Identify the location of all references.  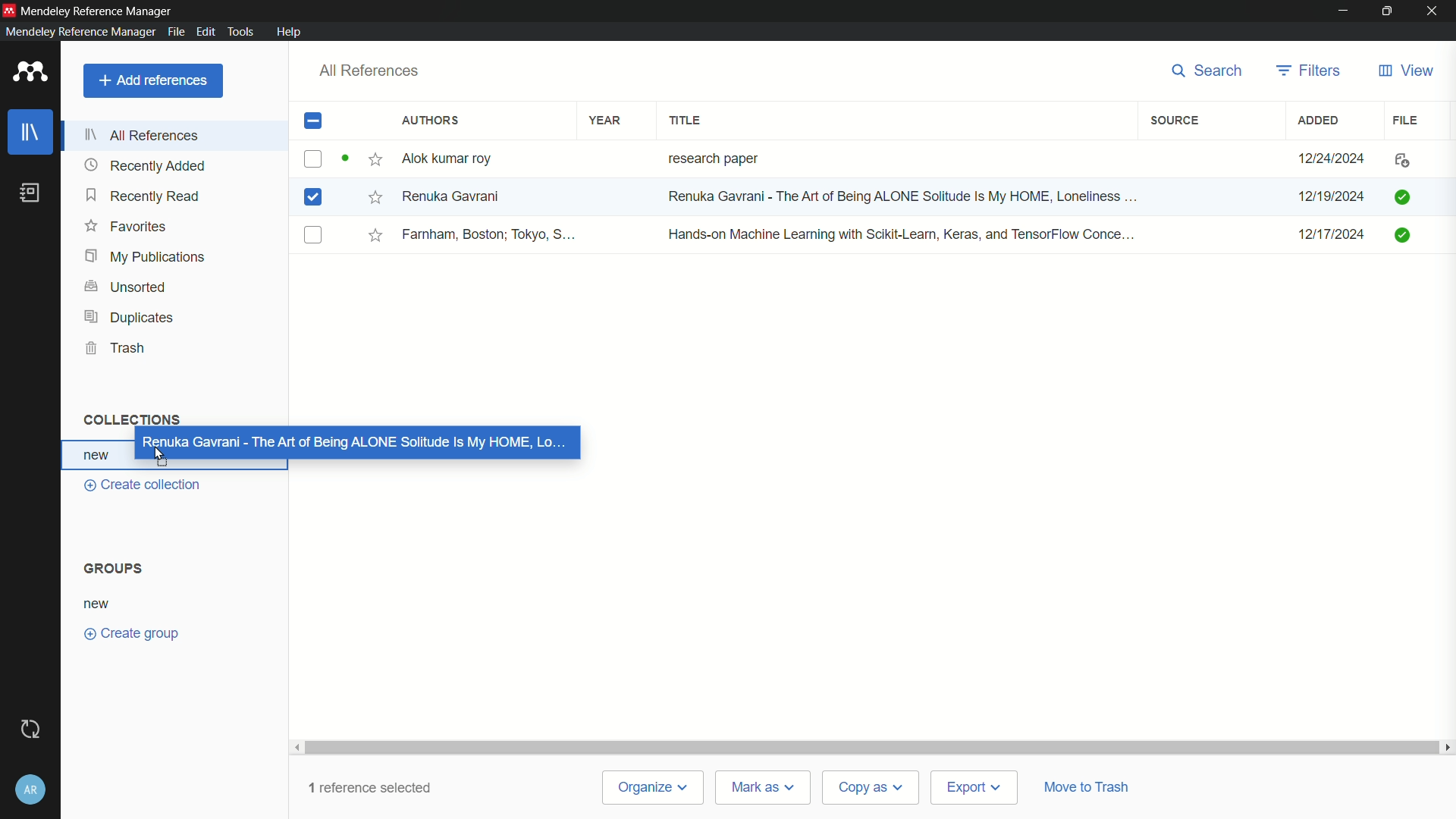
(143, 135).